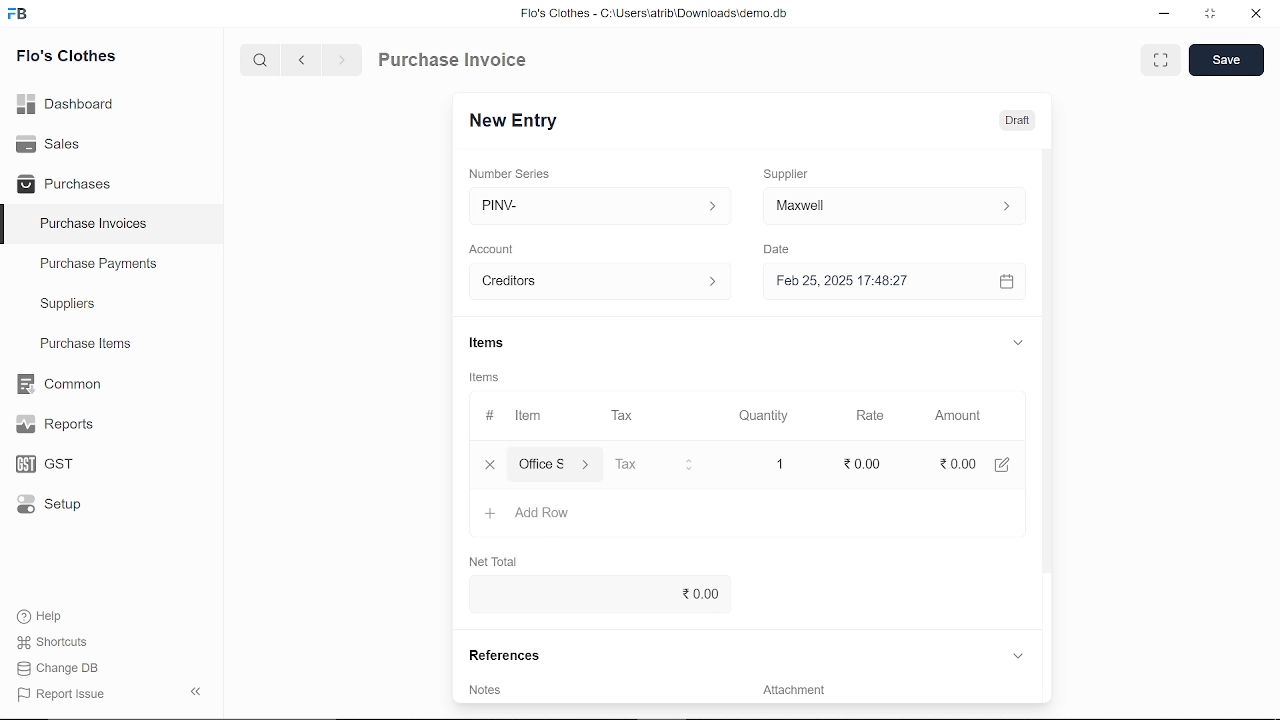 This screenshot has width=1280, height=720. I want to click on Purchase Invoices, so click(94, 226).